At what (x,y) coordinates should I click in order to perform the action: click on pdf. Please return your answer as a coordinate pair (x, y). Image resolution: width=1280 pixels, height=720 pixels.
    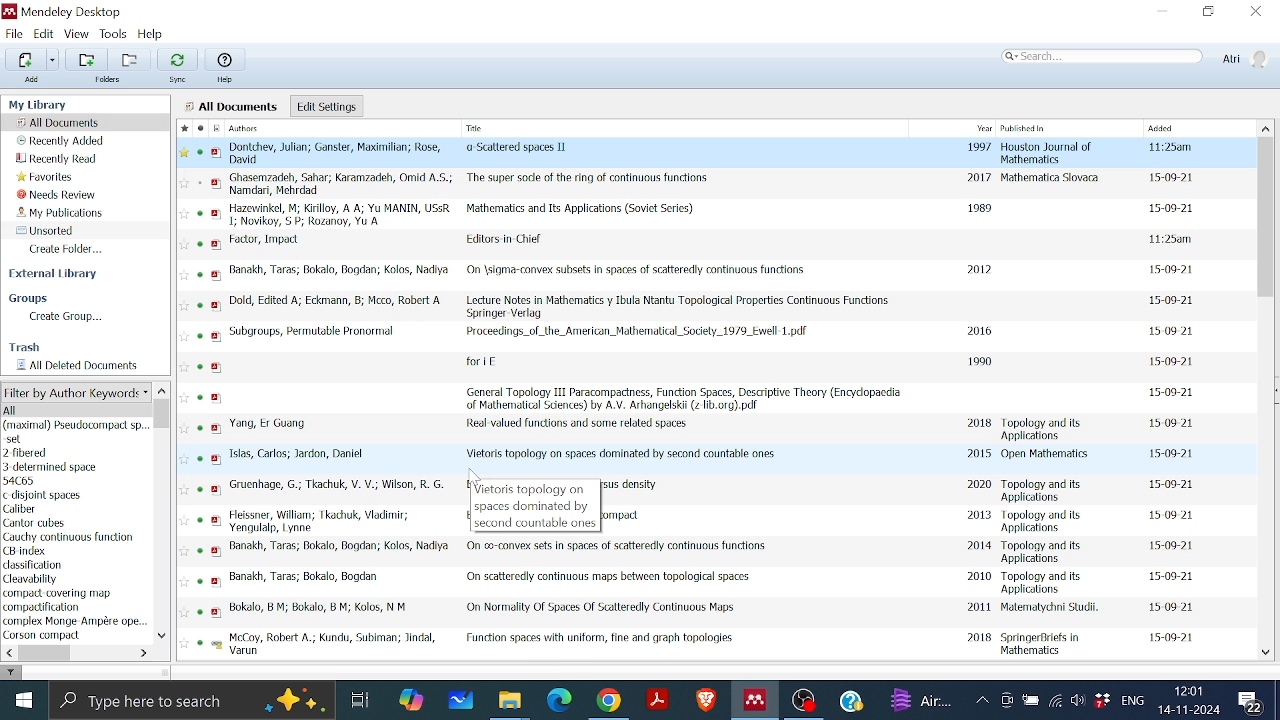
    Looking at the image, I should click on (216, 610).